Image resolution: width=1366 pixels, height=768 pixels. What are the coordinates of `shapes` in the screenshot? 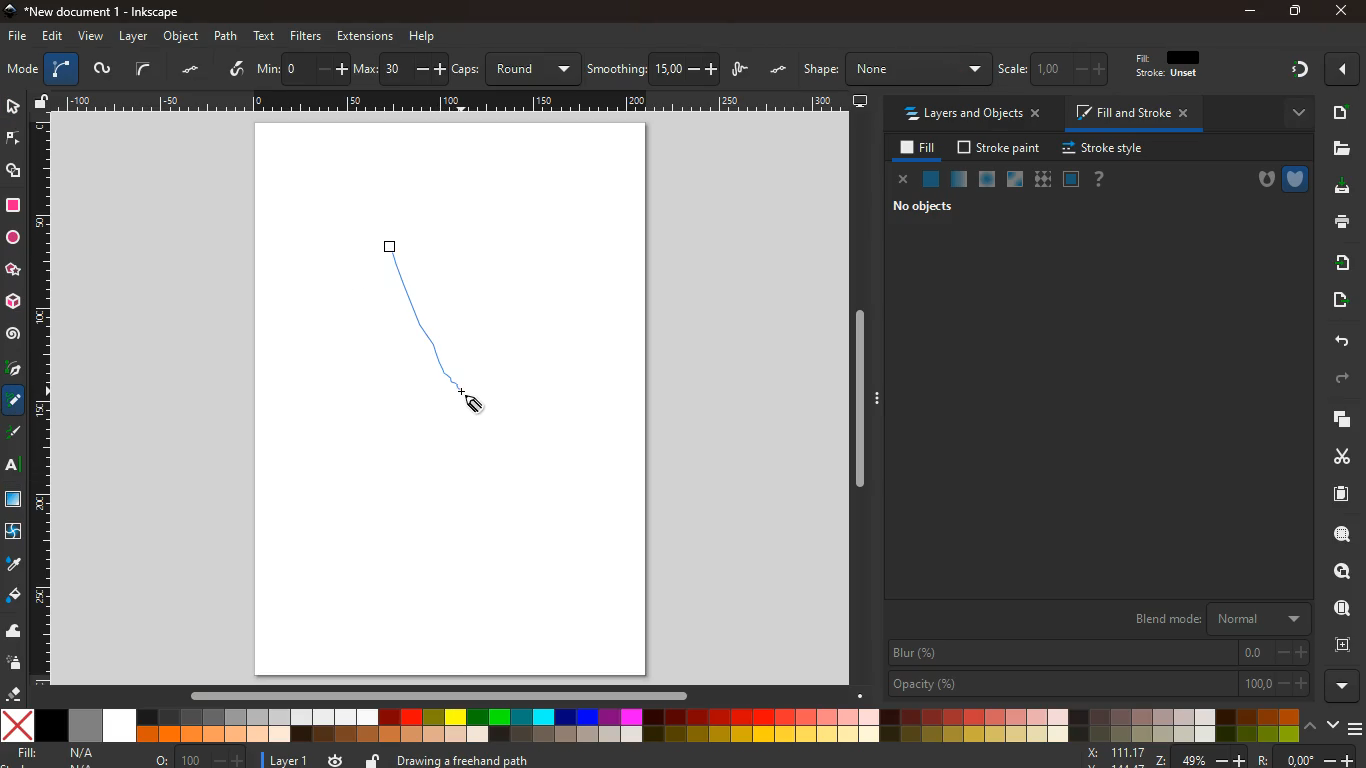 It's located at (15, 172).